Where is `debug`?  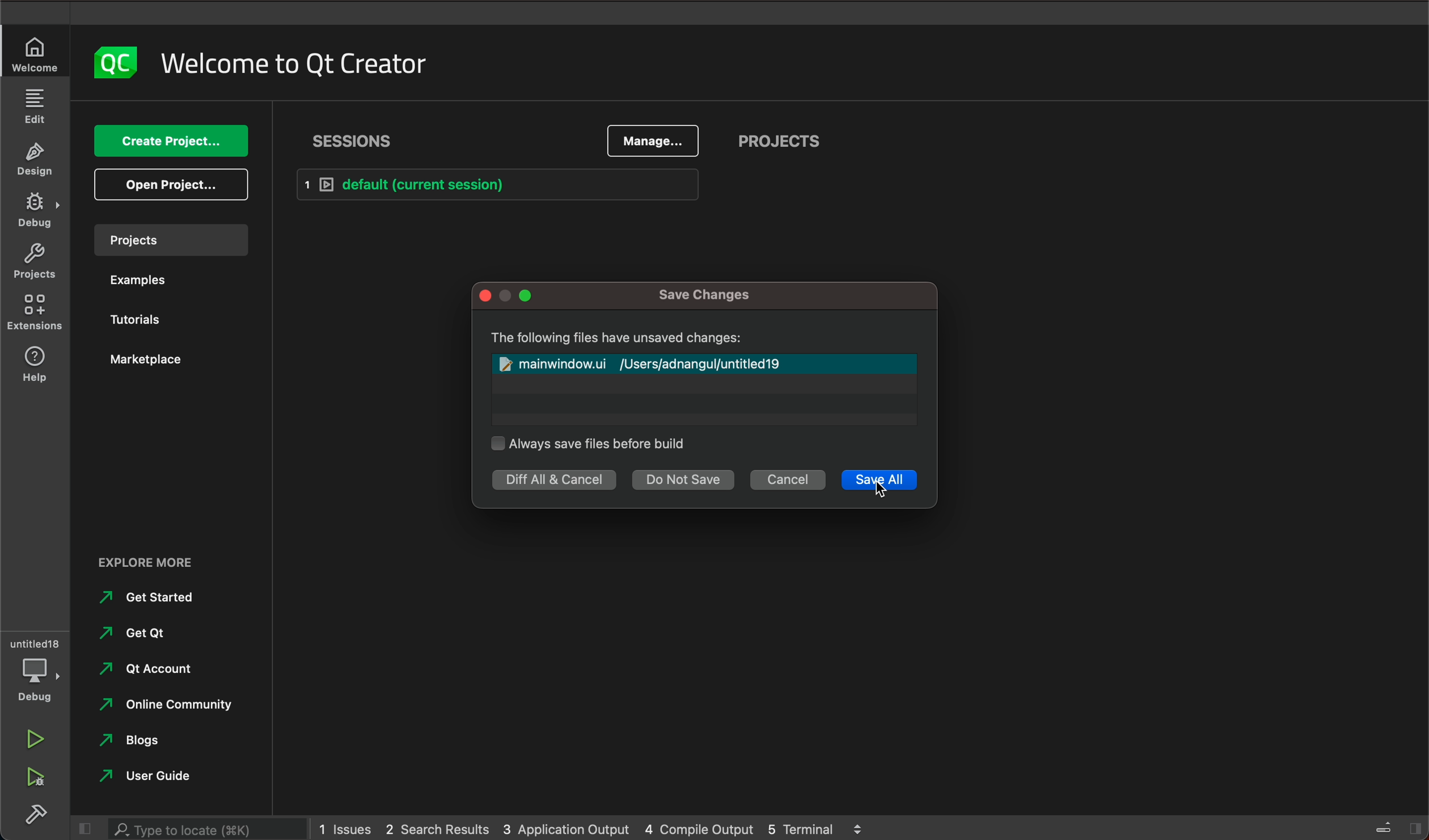
debug is located at coordinates (36, 212).